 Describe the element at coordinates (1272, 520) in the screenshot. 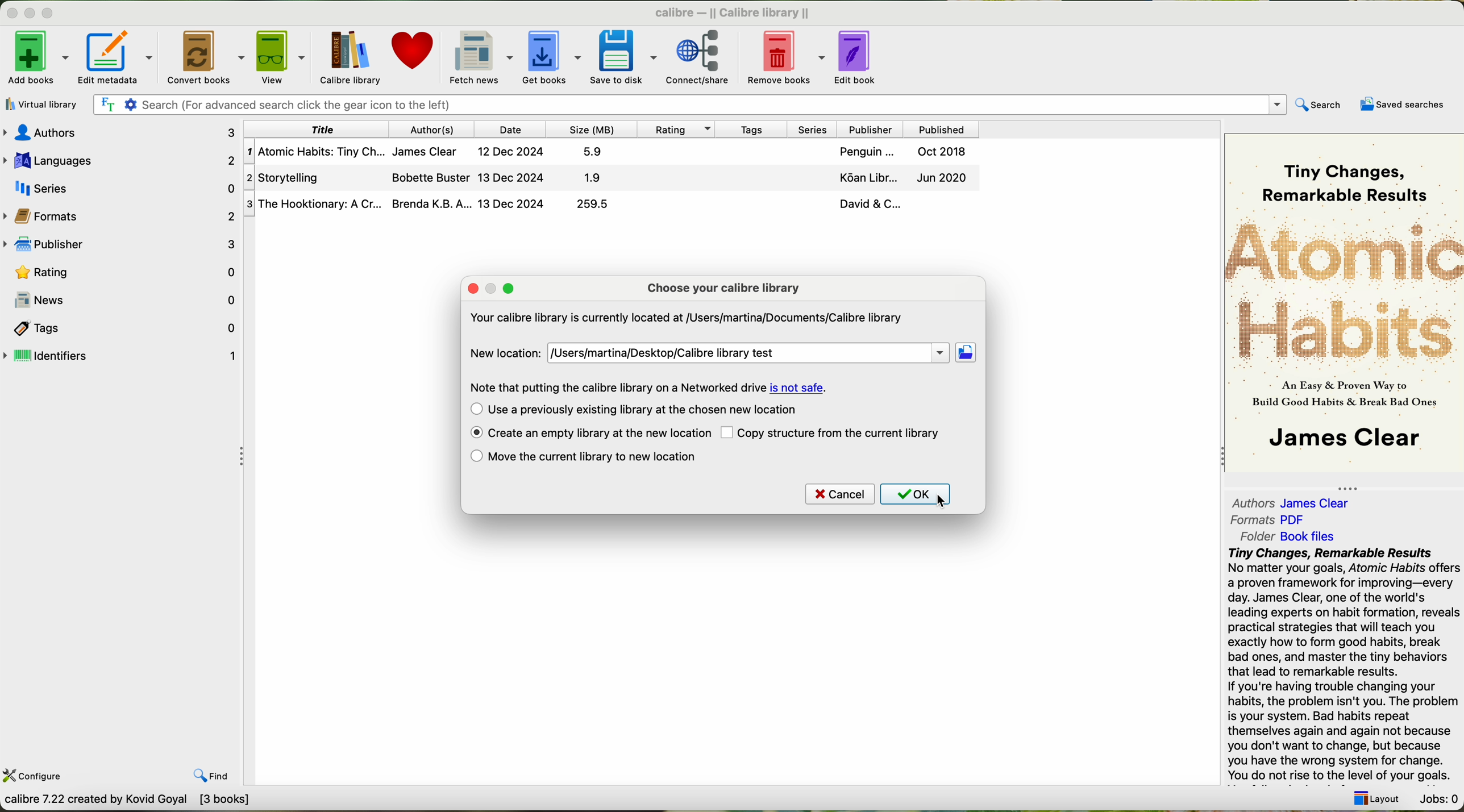

I see `formats:PDF` at that location.